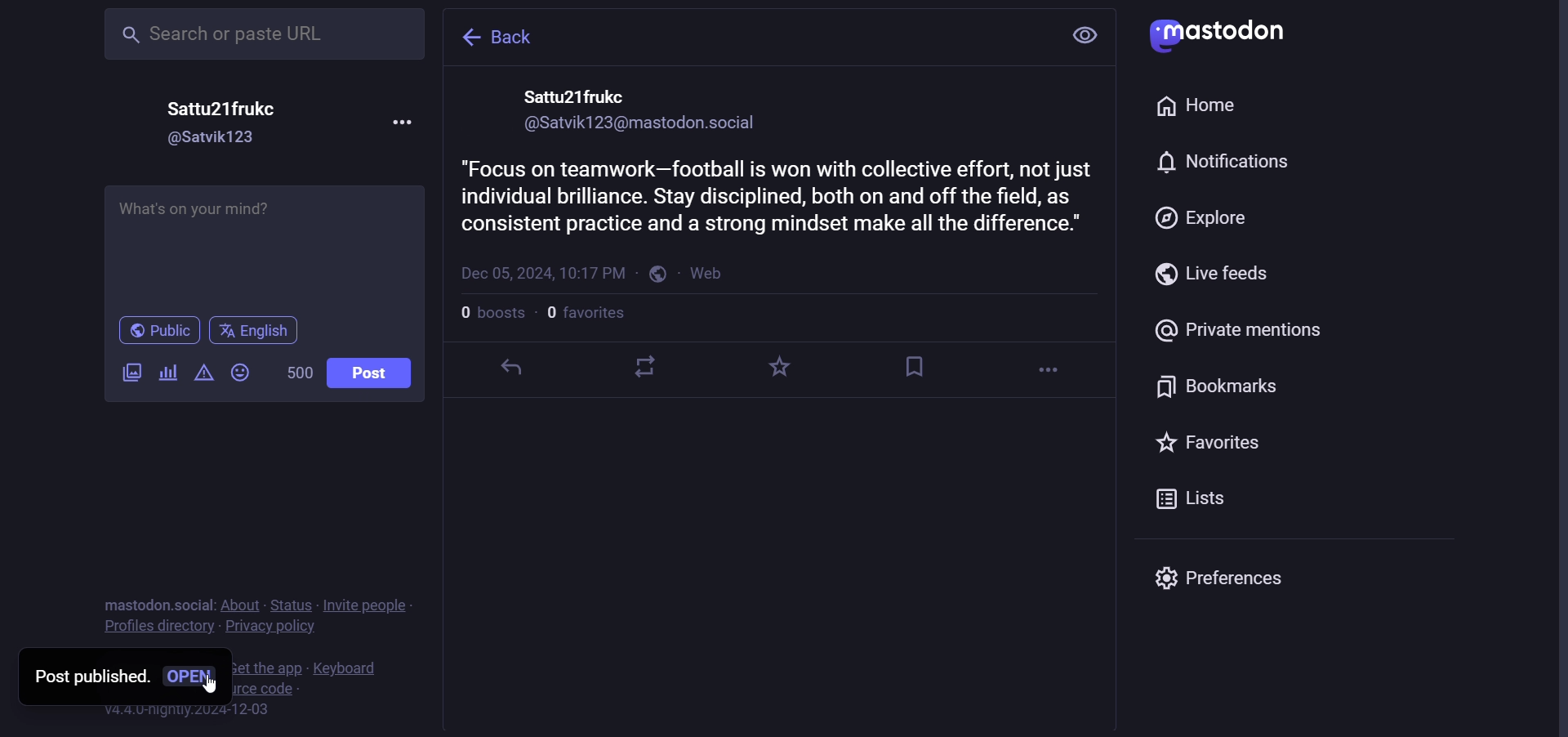  I want to click on number of boost, so click(490, 313).